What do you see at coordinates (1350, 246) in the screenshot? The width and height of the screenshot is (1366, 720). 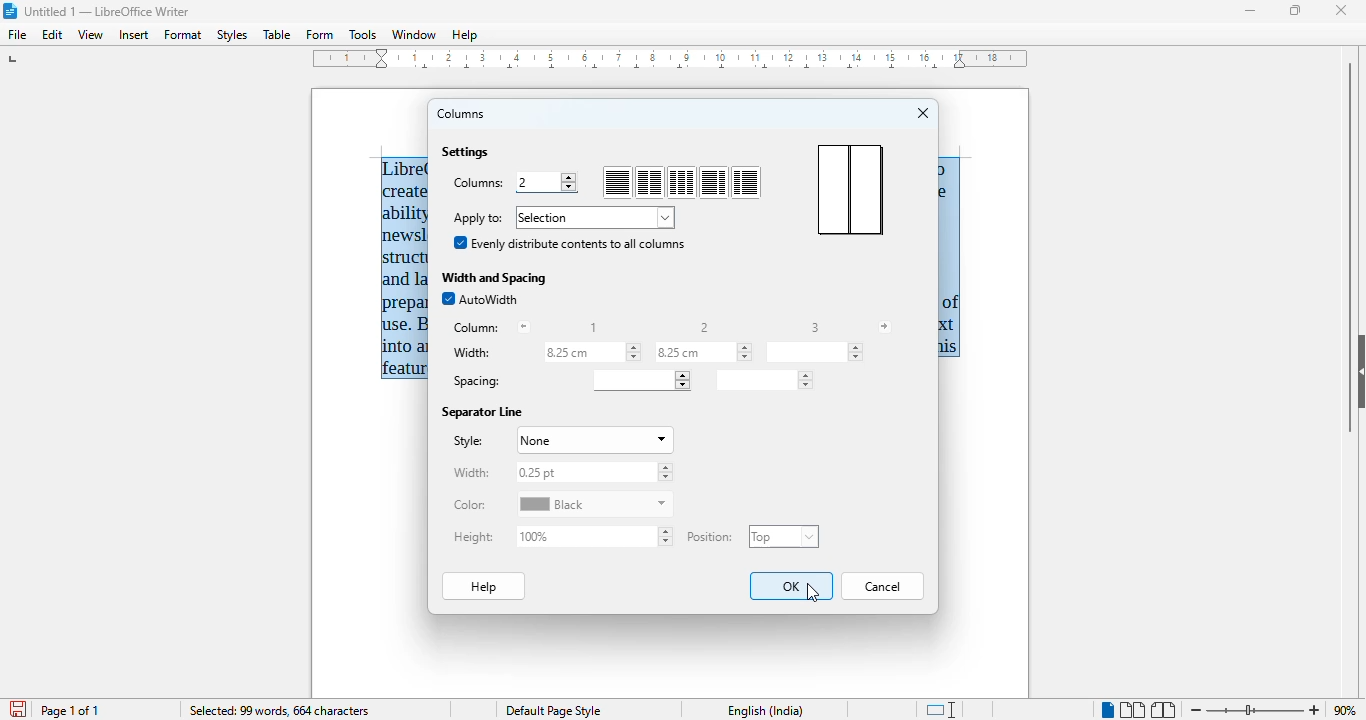 I see `vertical scroll bar` at bounding box center [1350, 246].